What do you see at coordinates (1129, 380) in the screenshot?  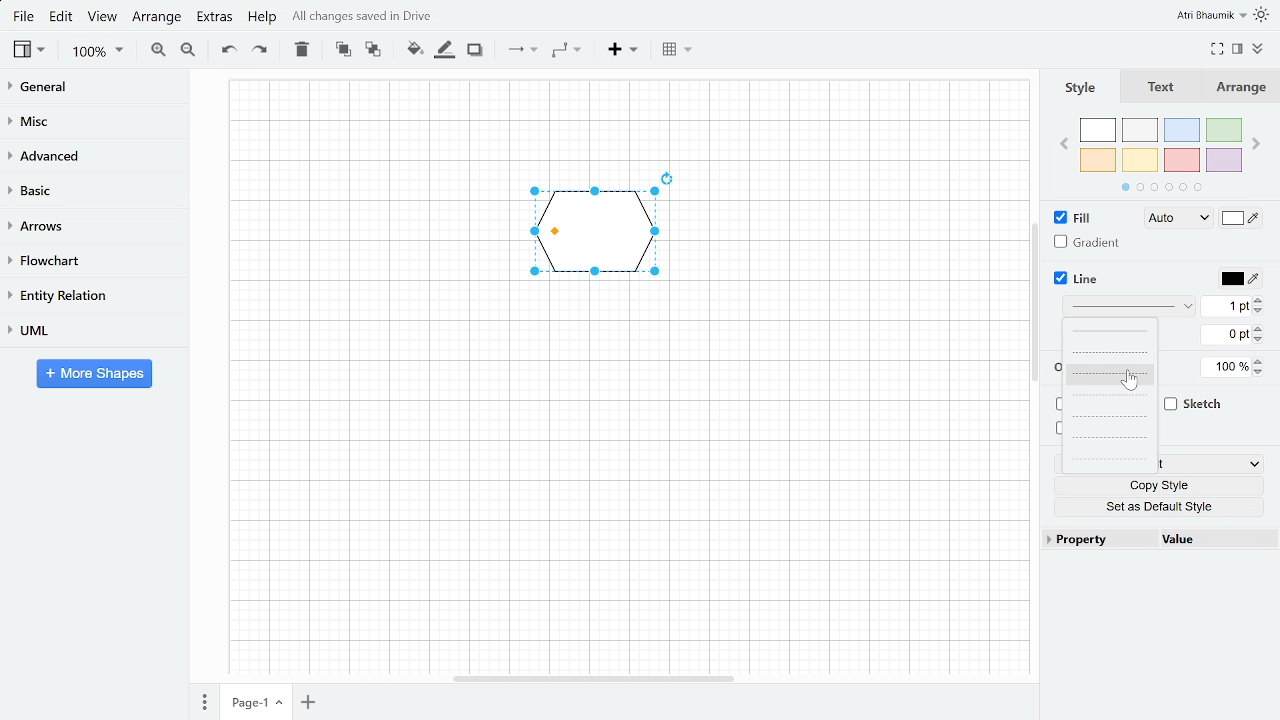 I see `Cursor` at bounding box center [1129, 380].